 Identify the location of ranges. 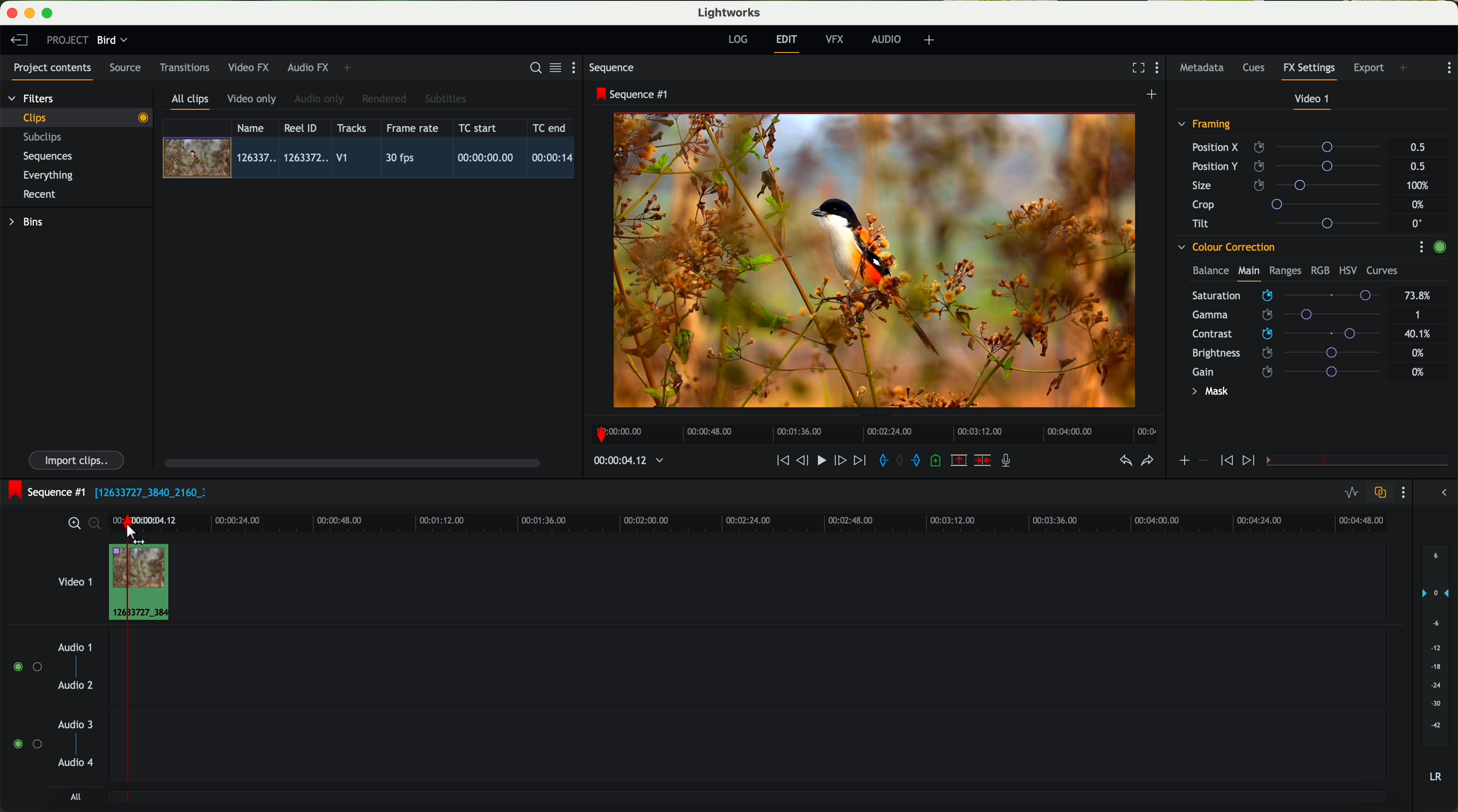
(1285, 270).